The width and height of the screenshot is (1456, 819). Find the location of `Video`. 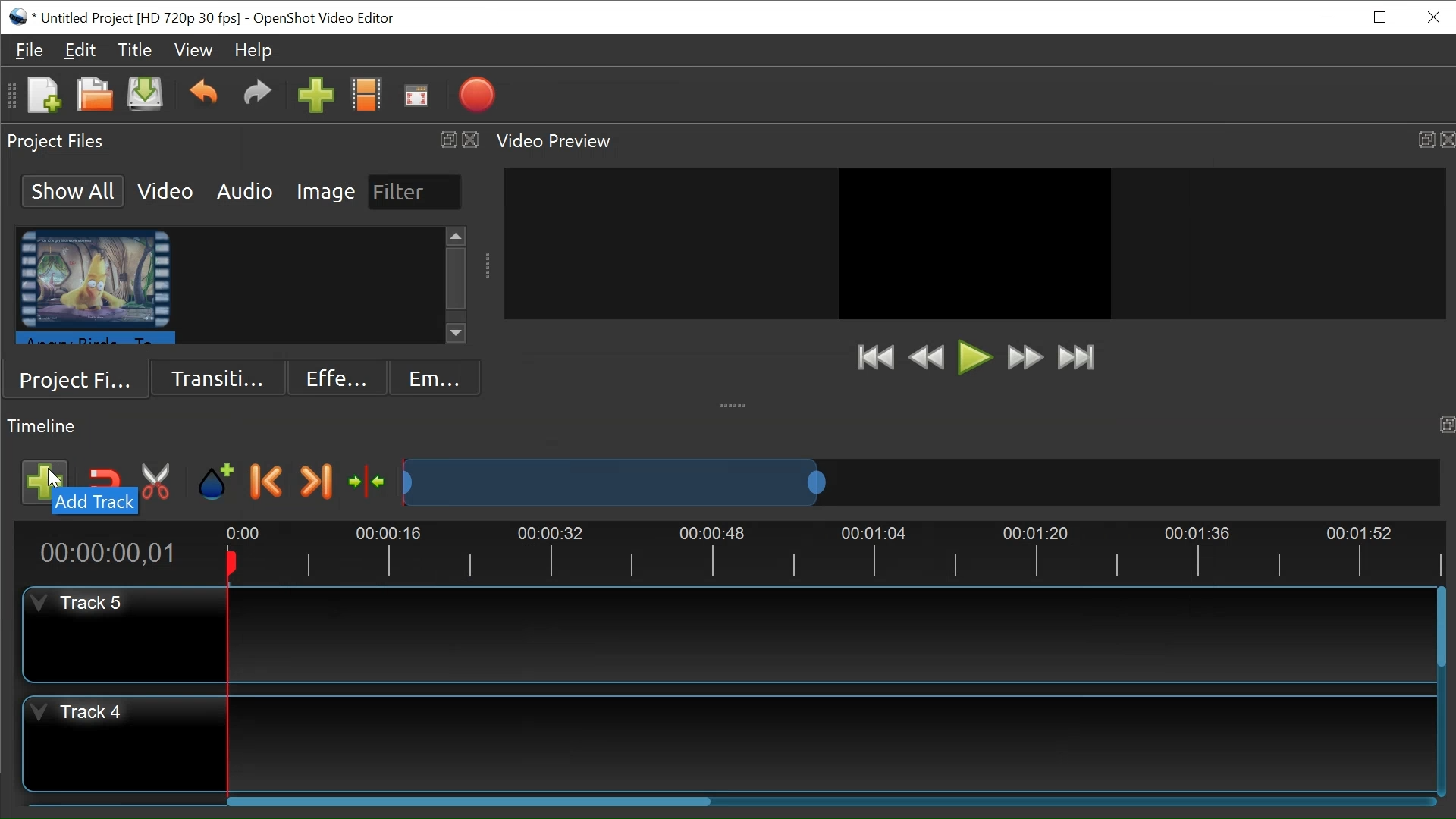

Video is located at coordinates (165, 190).